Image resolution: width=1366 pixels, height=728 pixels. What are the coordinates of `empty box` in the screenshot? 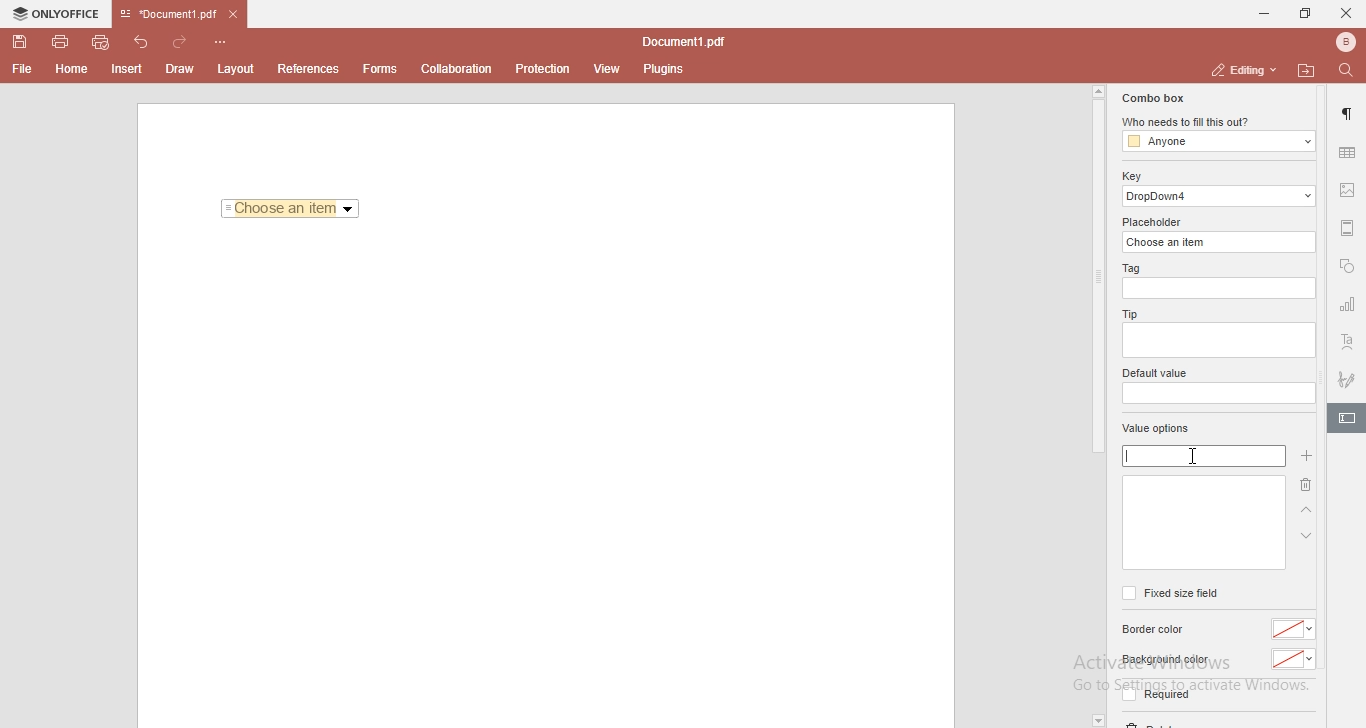 It's located at (1221, 289).